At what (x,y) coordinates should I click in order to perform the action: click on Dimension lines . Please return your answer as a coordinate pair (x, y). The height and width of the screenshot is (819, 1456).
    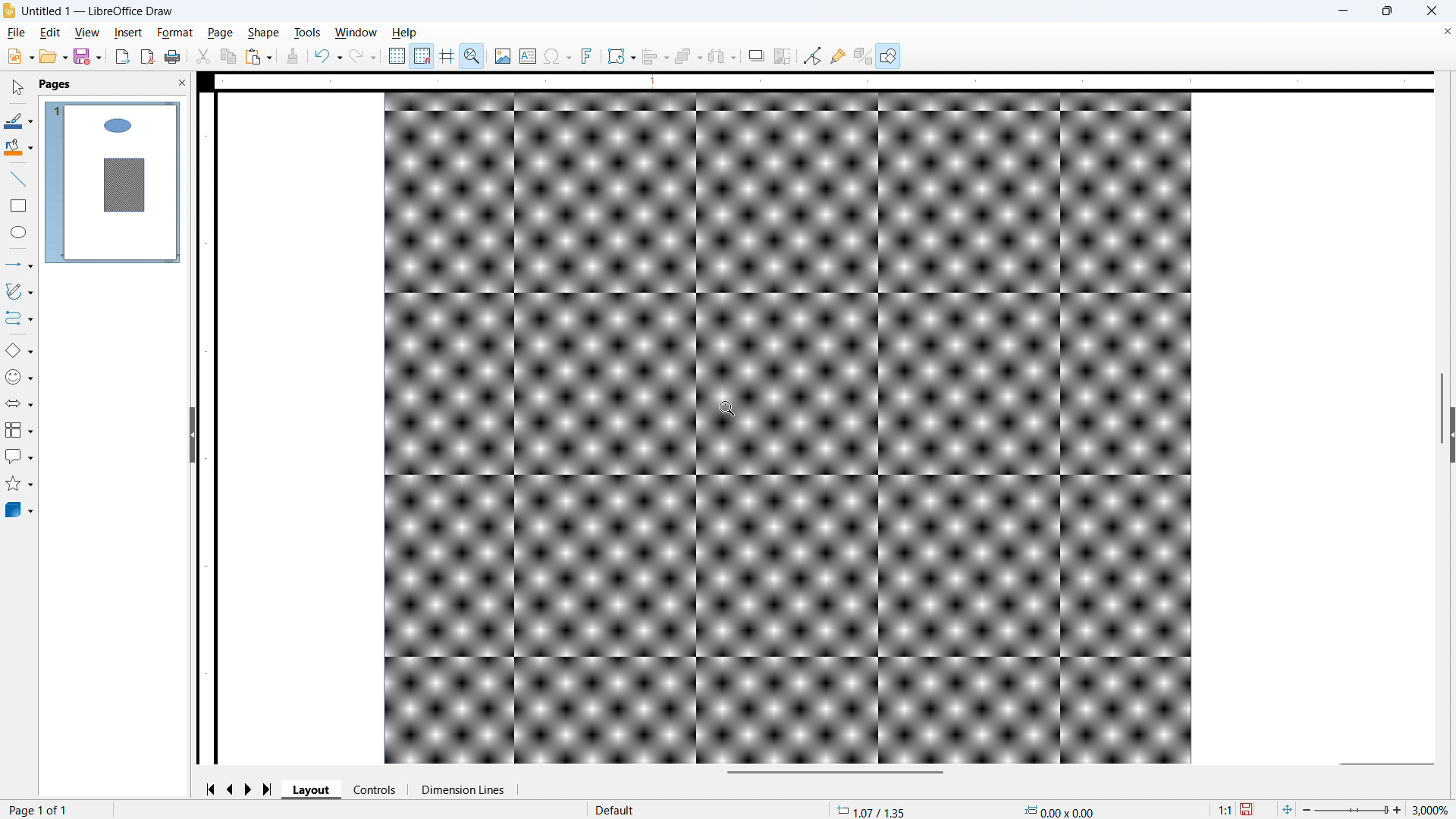
    Looking at the image, I should click on (463, 789).